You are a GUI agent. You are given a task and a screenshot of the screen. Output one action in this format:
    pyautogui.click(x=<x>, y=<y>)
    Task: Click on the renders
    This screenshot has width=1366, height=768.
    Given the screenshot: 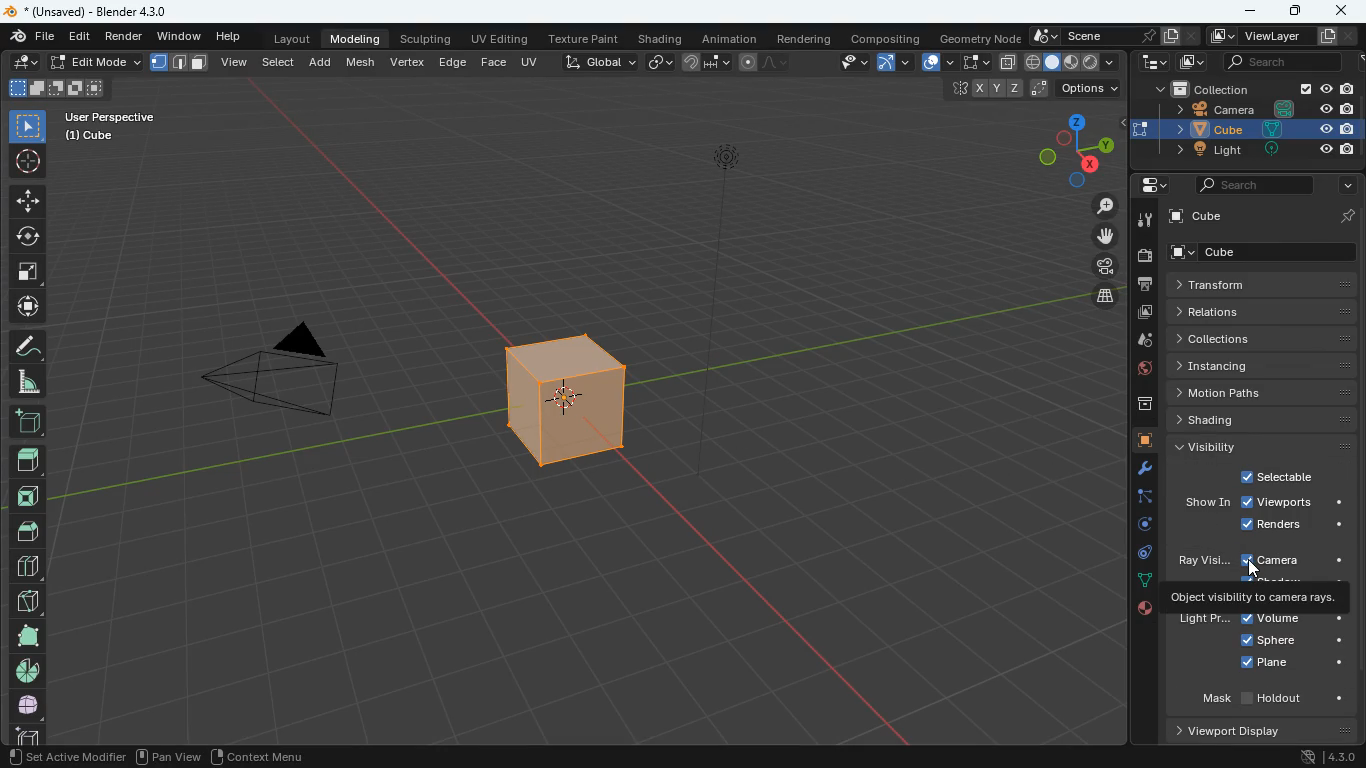 What is the action you would take?
    pyautogui.click(x=1295, y=526)
    